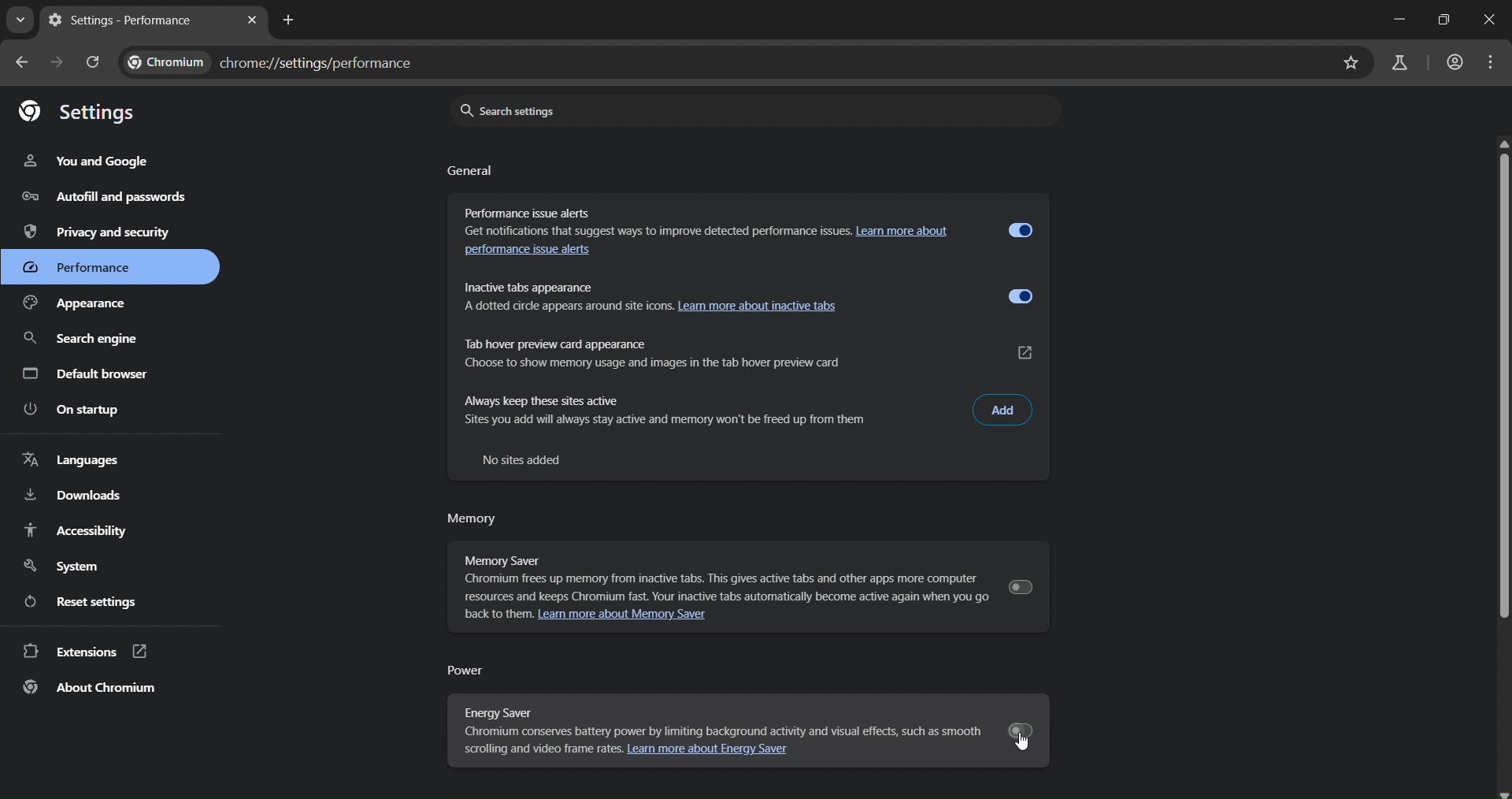  I want to click on toggle button, so click(1022, 229).